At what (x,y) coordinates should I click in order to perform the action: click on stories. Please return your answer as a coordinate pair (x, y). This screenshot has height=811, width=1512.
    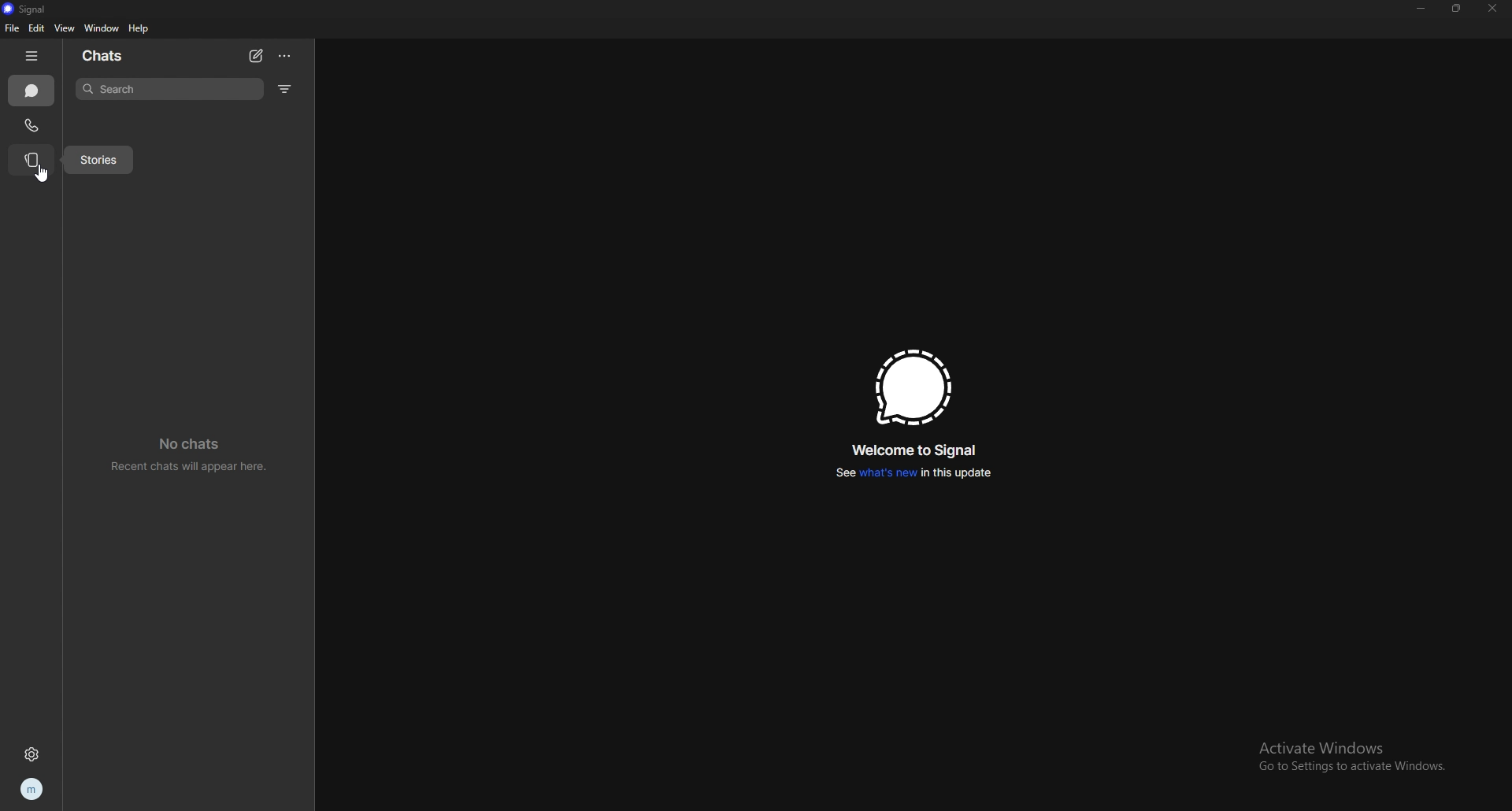
    Looking at the image, I should click on (31, 161).